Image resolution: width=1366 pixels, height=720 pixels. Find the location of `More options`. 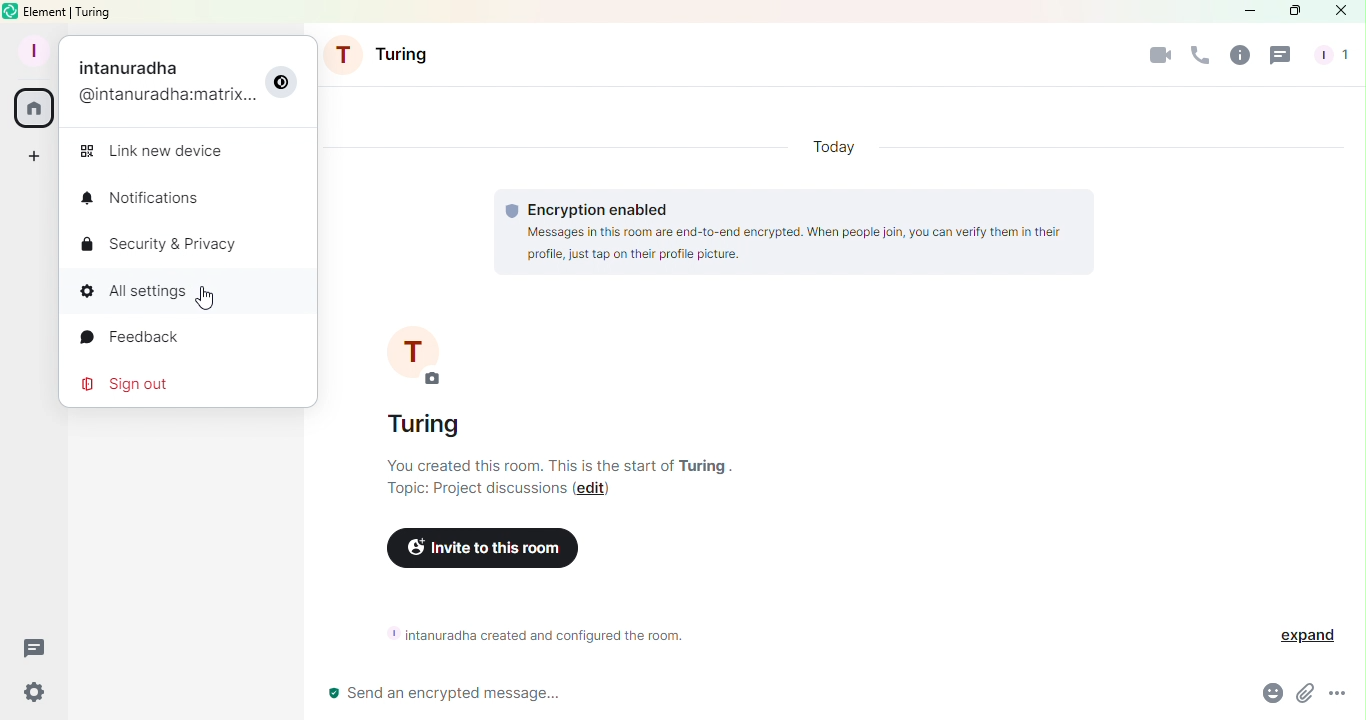

More options is located at coordinates (1340, 695).